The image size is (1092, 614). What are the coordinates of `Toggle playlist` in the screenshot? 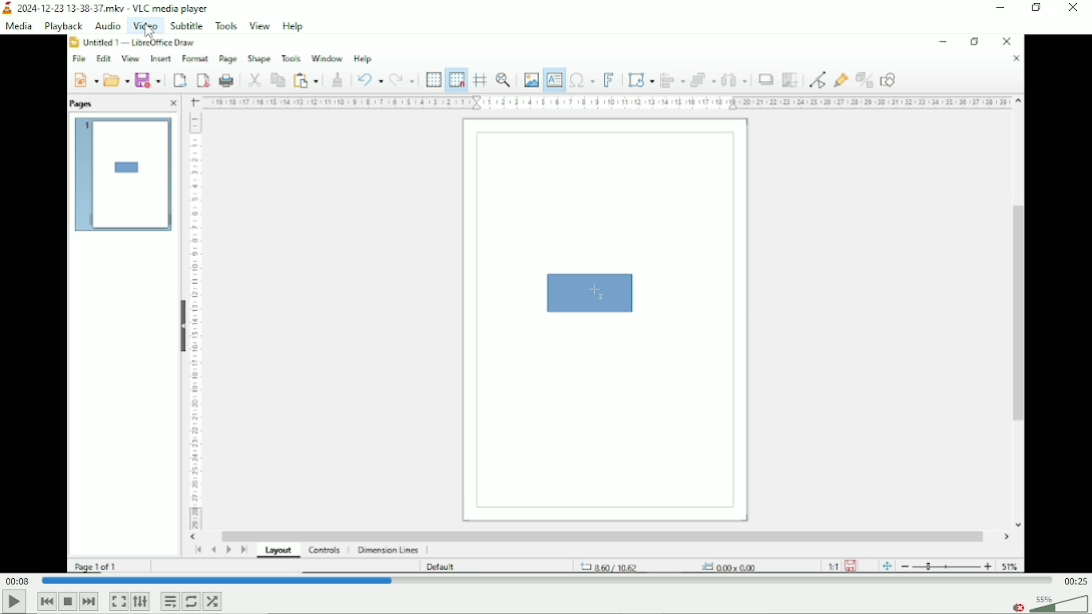 It's located at (169, 601).